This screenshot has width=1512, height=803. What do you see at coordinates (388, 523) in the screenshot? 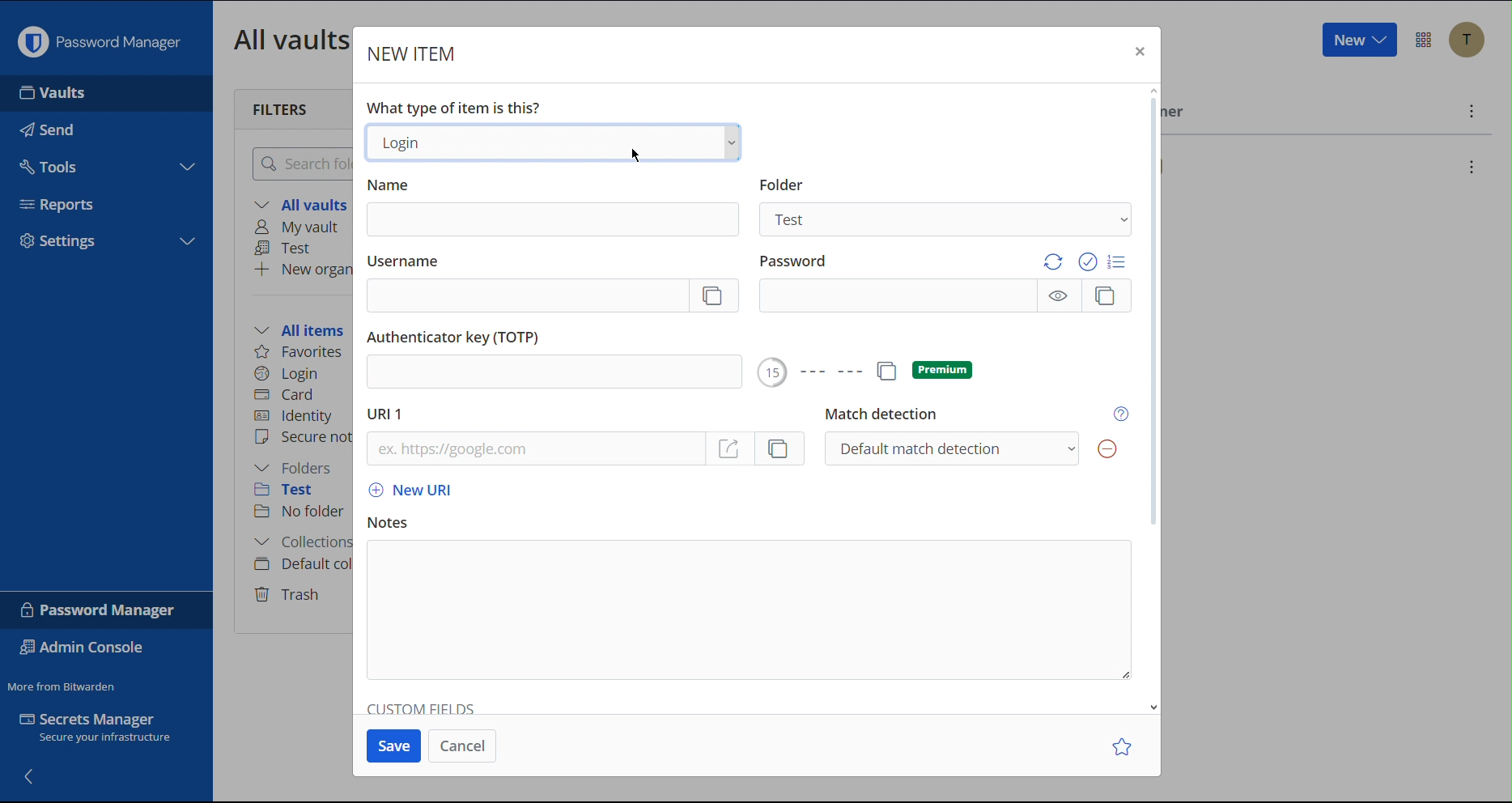
I see `Notes` at bounding box center [388, 523].